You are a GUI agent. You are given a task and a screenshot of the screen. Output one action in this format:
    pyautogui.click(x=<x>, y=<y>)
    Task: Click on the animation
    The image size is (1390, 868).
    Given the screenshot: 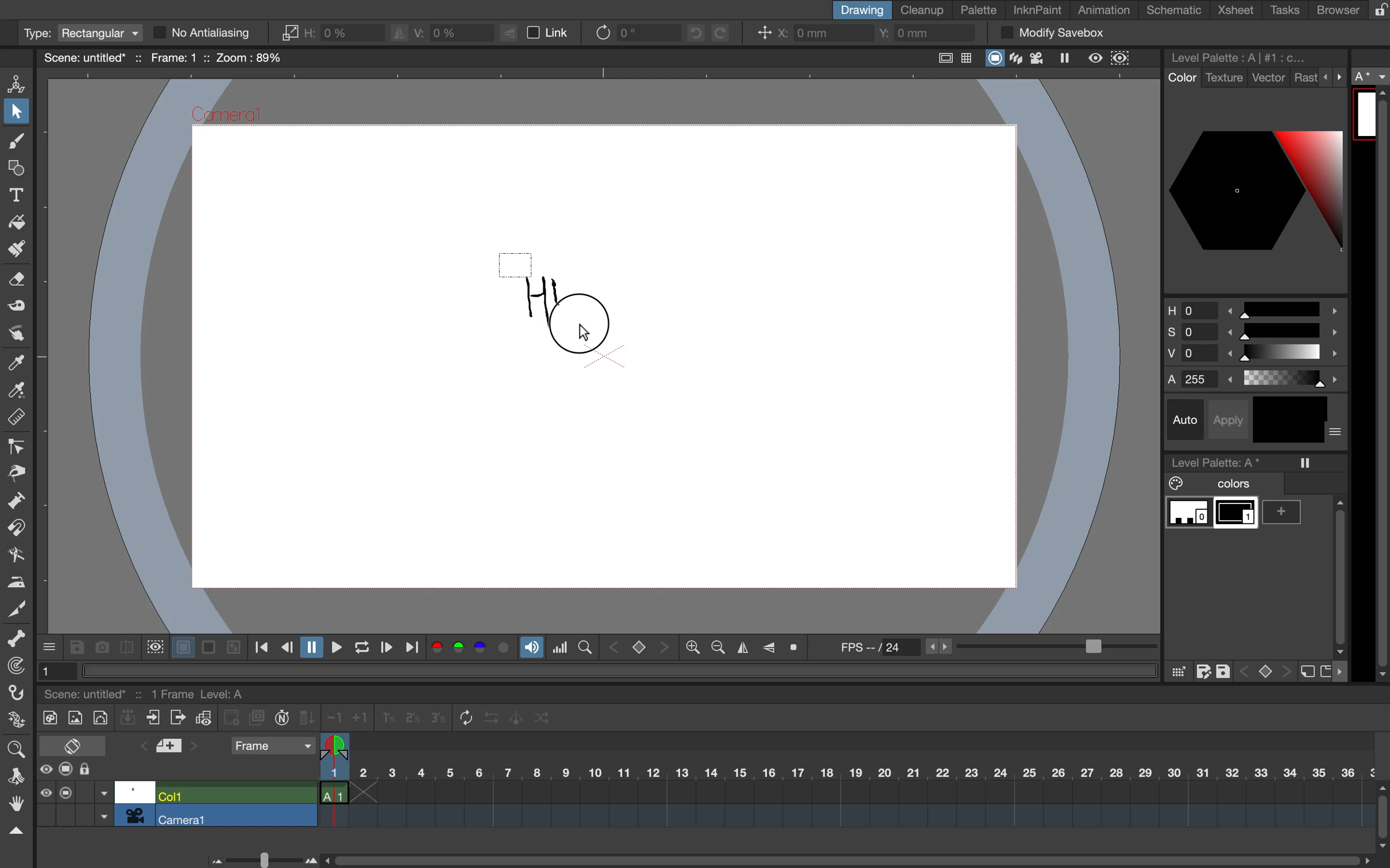 What is the action you would take?
    pyautogui.click(x=1109, y=11)
    